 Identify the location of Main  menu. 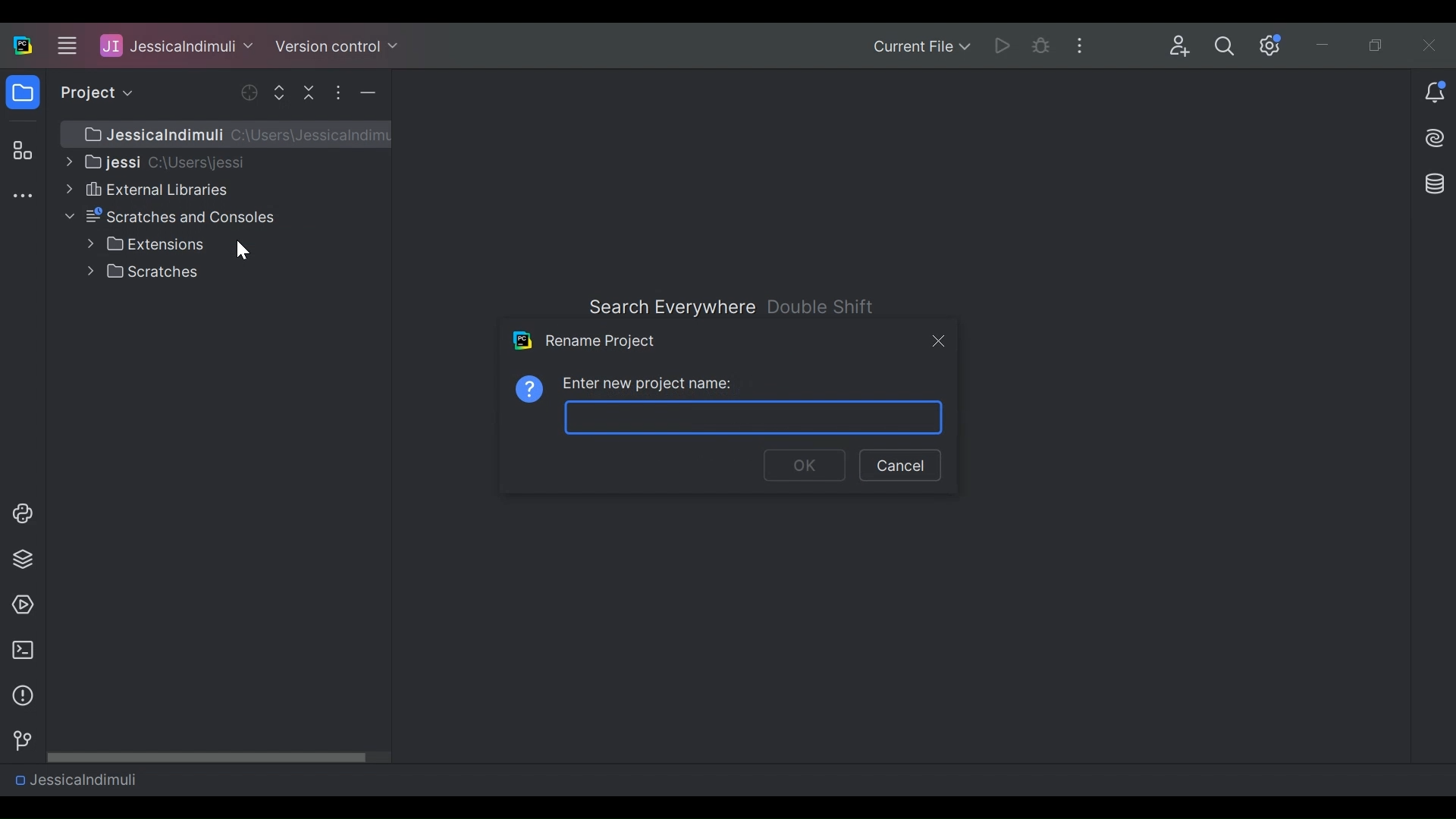
(64, 45).